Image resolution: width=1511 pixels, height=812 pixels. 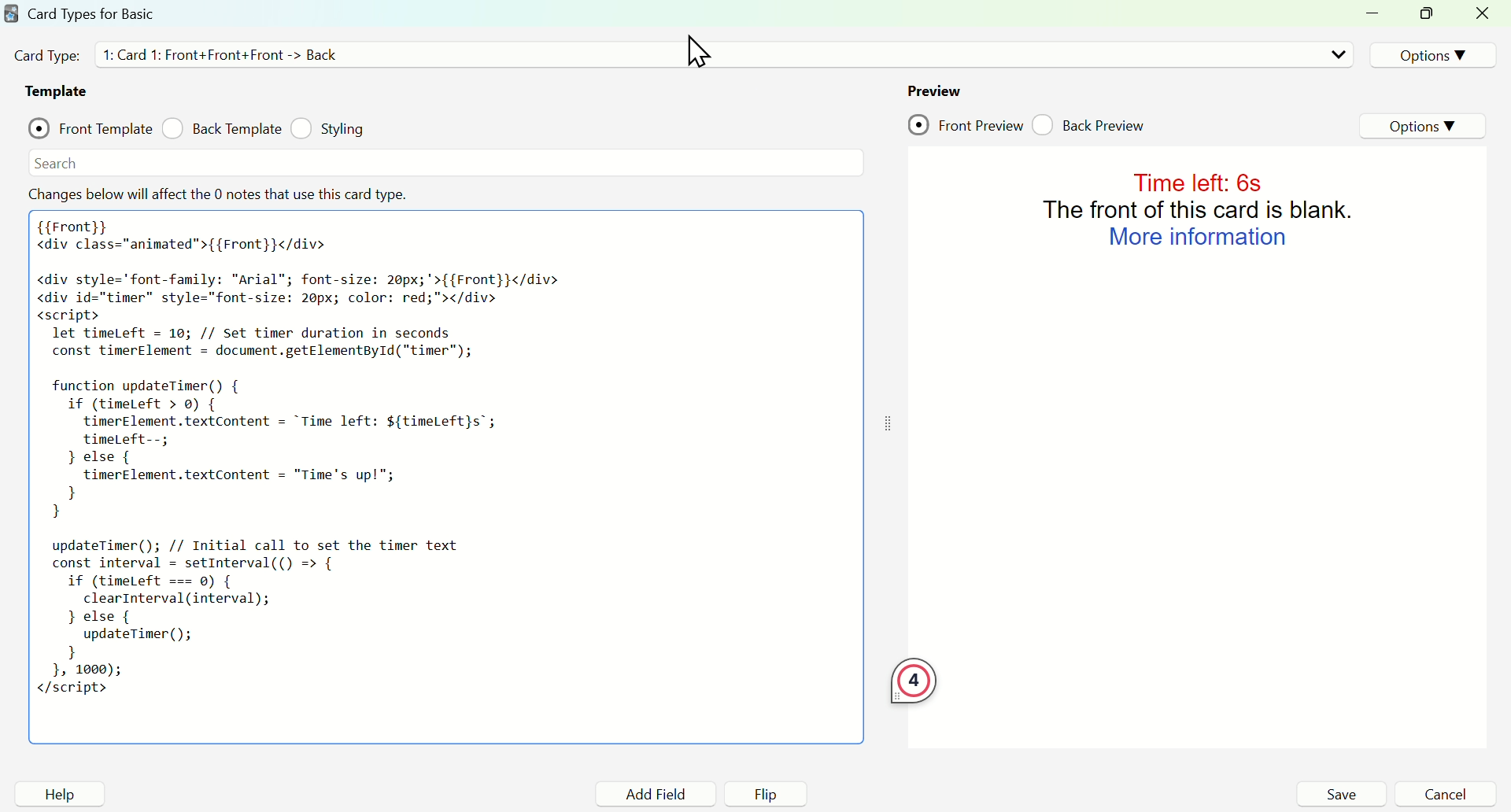 What do you see at coordinates (1340, 794) in the screenshot?
I see `save` at bounding box center [1340, 794].